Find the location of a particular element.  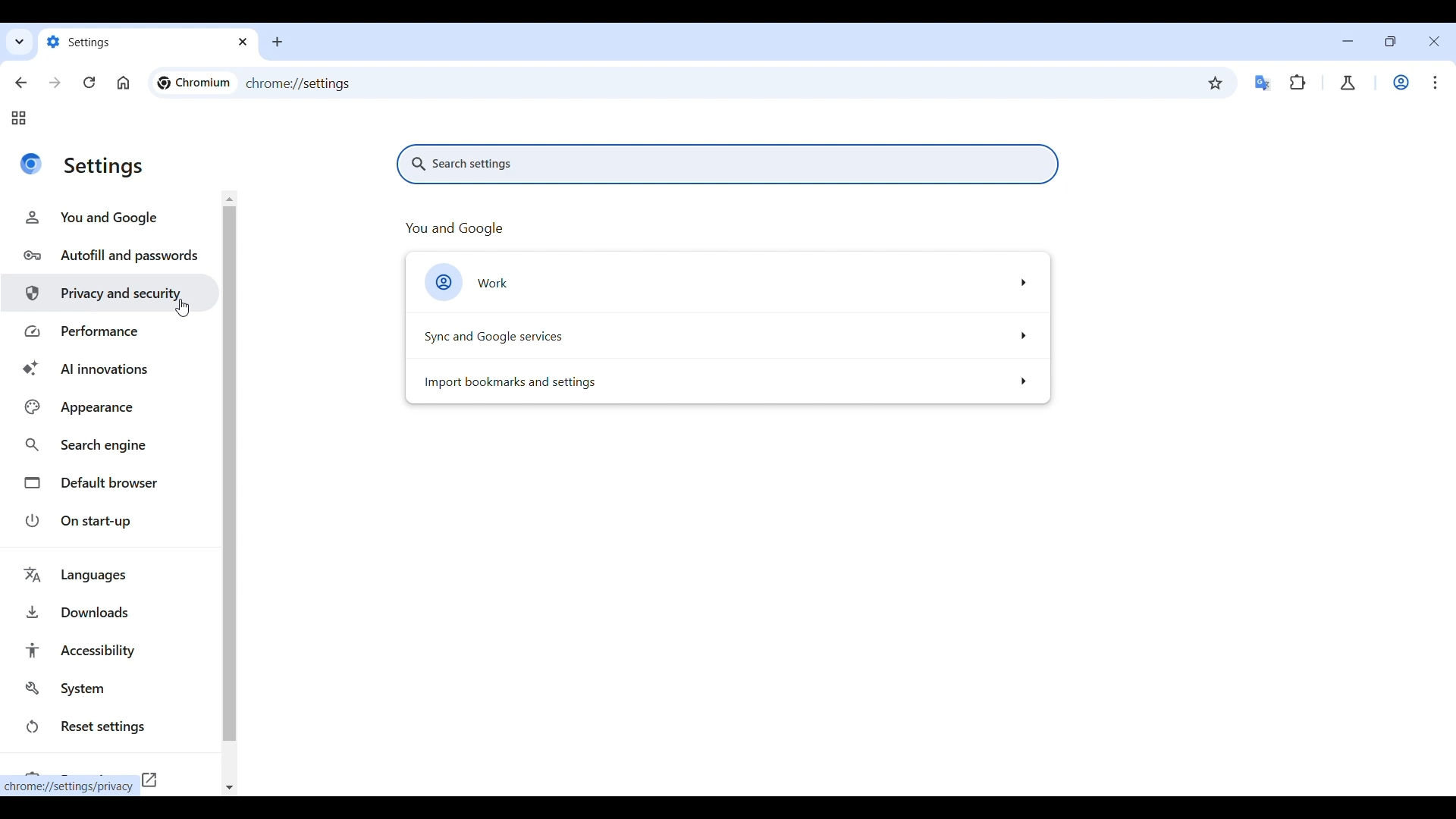

Work is located at coordinates (1401, 82).